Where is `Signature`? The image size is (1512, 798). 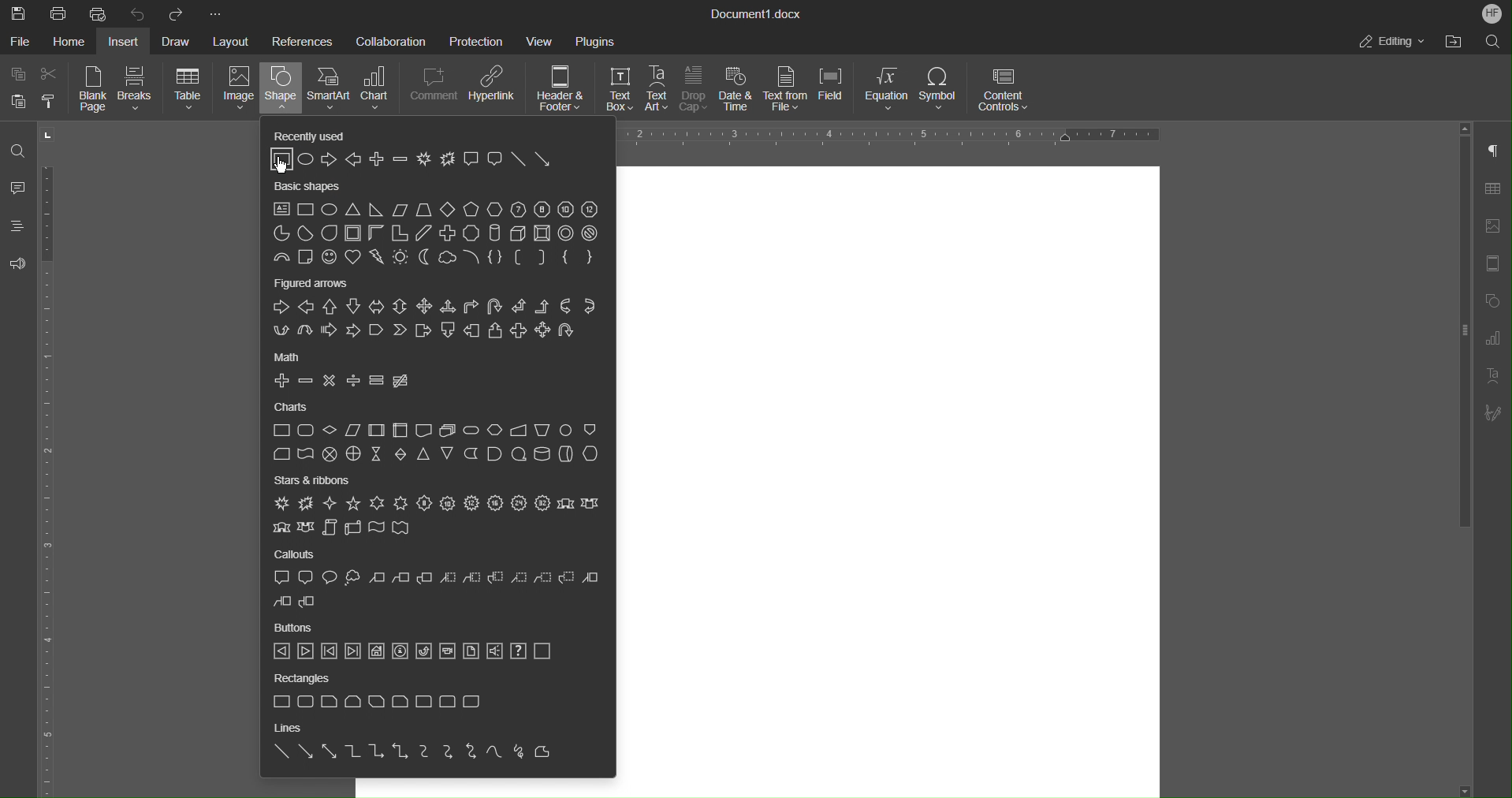
Signature is located at coordinates (1499, 413).